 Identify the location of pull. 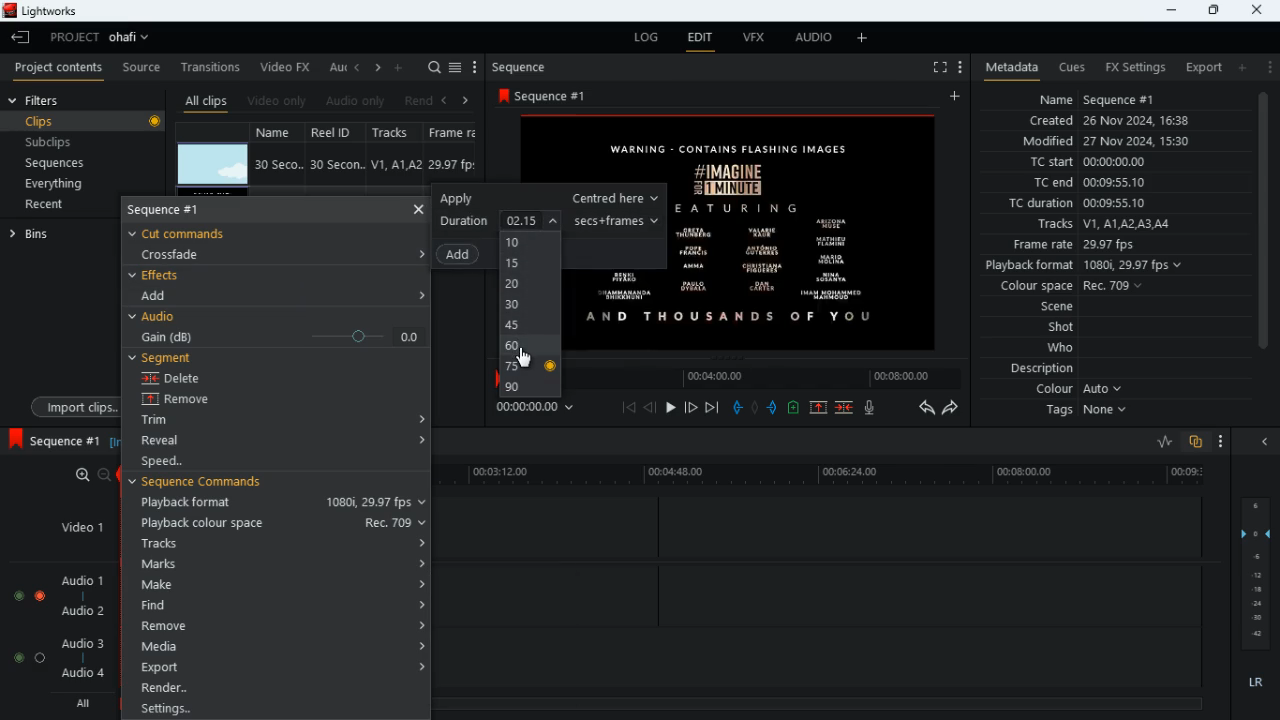
(737, 407).